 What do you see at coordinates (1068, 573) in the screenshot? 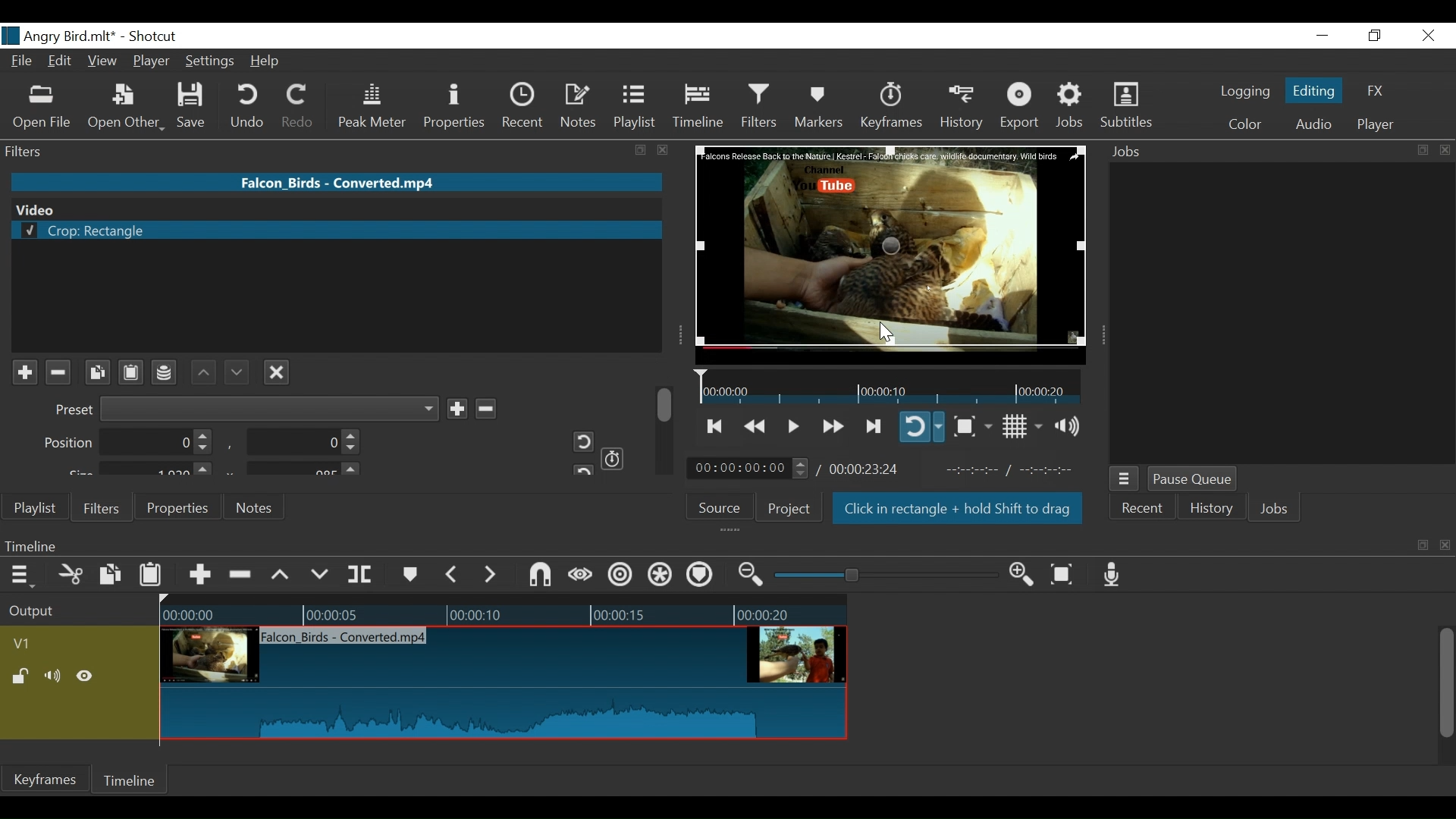
I see `Zoom timeline to fit` at bounding box center [1068, 573].